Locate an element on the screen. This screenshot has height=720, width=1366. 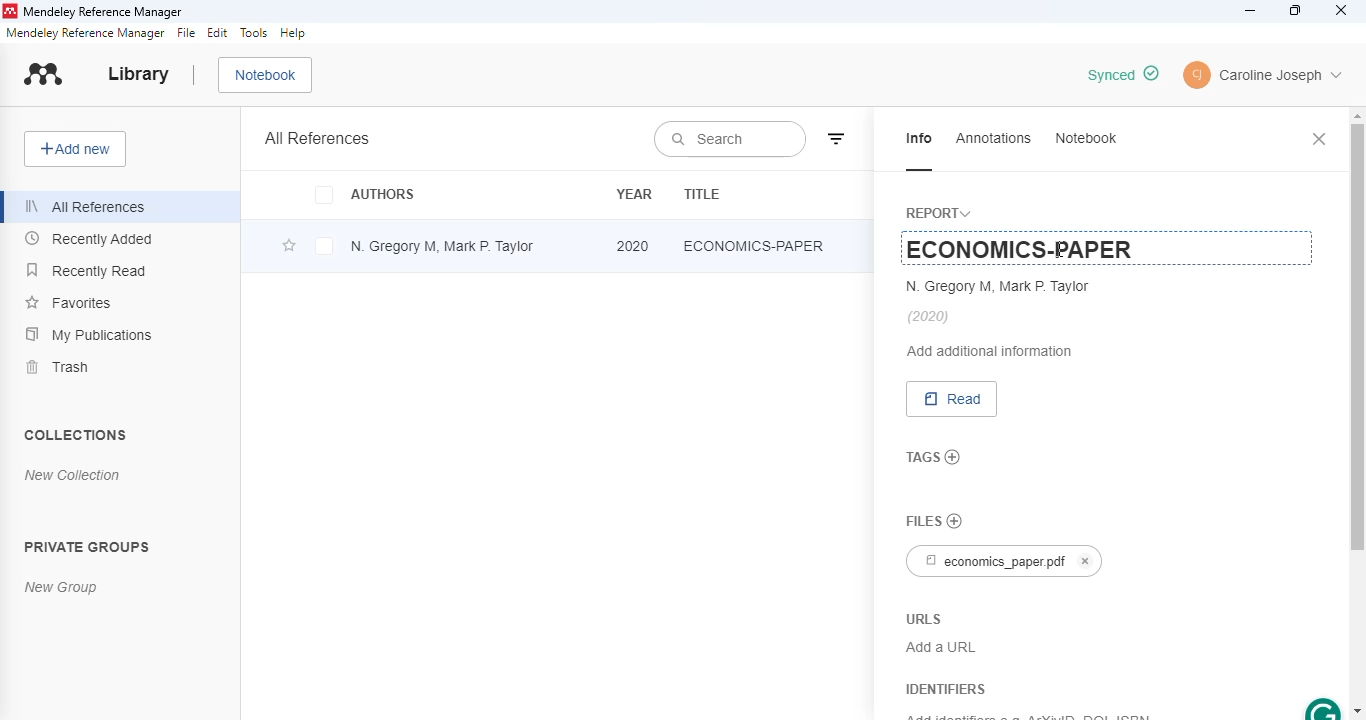
search is located at coordinates (729, 139).